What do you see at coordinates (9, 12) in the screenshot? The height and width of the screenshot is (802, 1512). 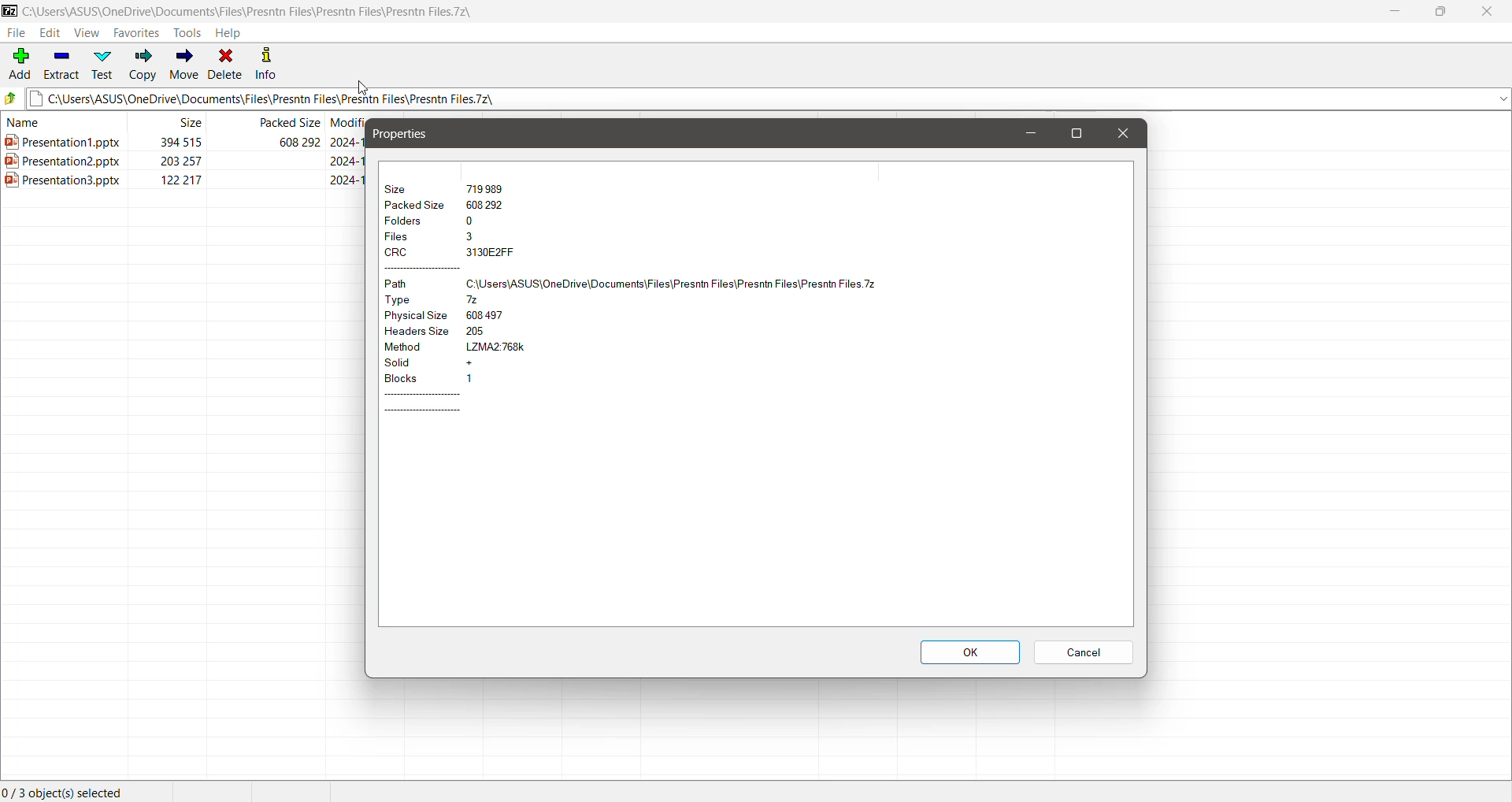 I see `7 zip Logo` at bounding box center [9, 12].